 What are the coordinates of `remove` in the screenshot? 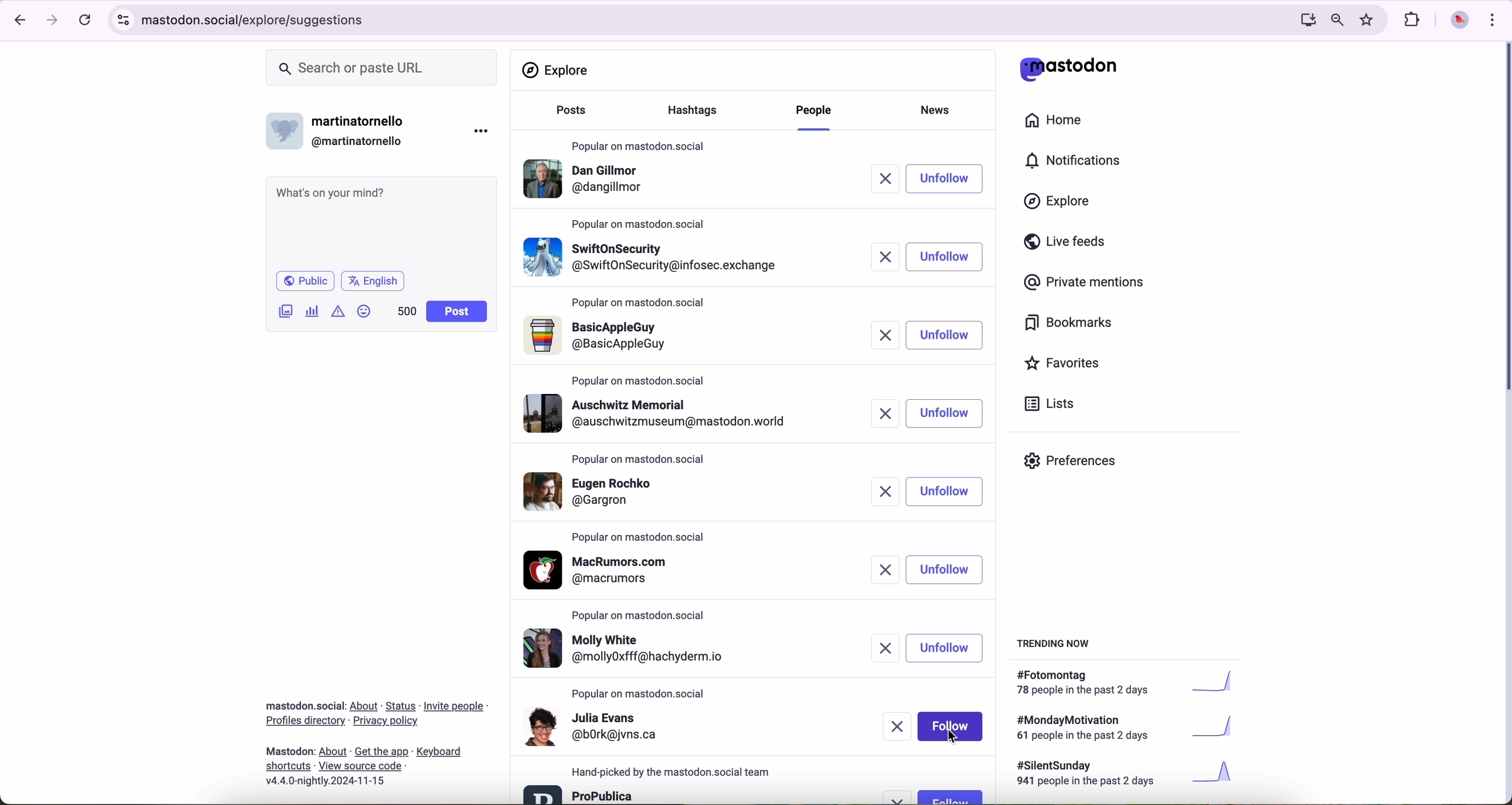 It's located at (885, 649).